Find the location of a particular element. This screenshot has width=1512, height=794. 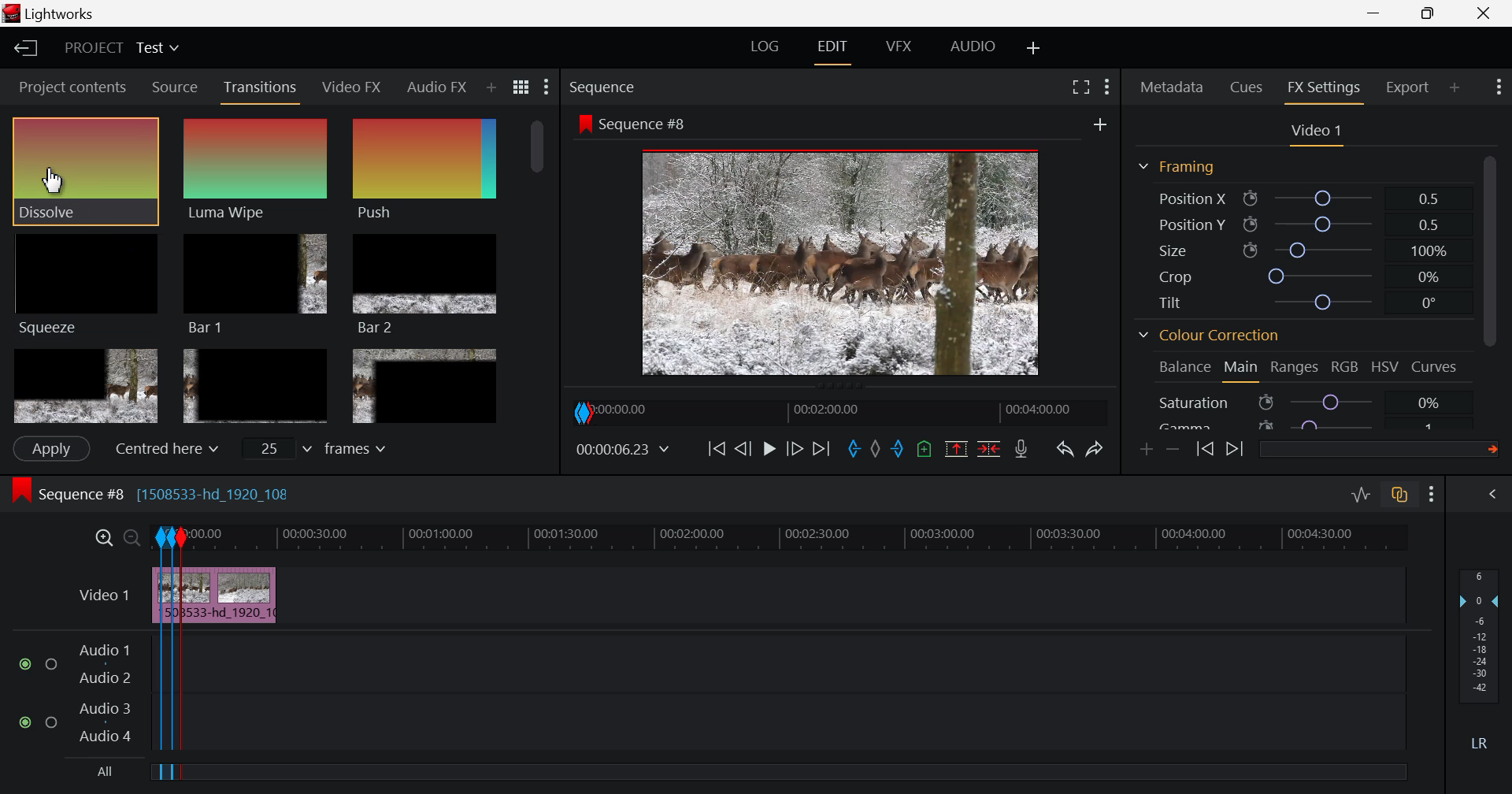

Transitions Tab Open is located at coordinates (264, 88).